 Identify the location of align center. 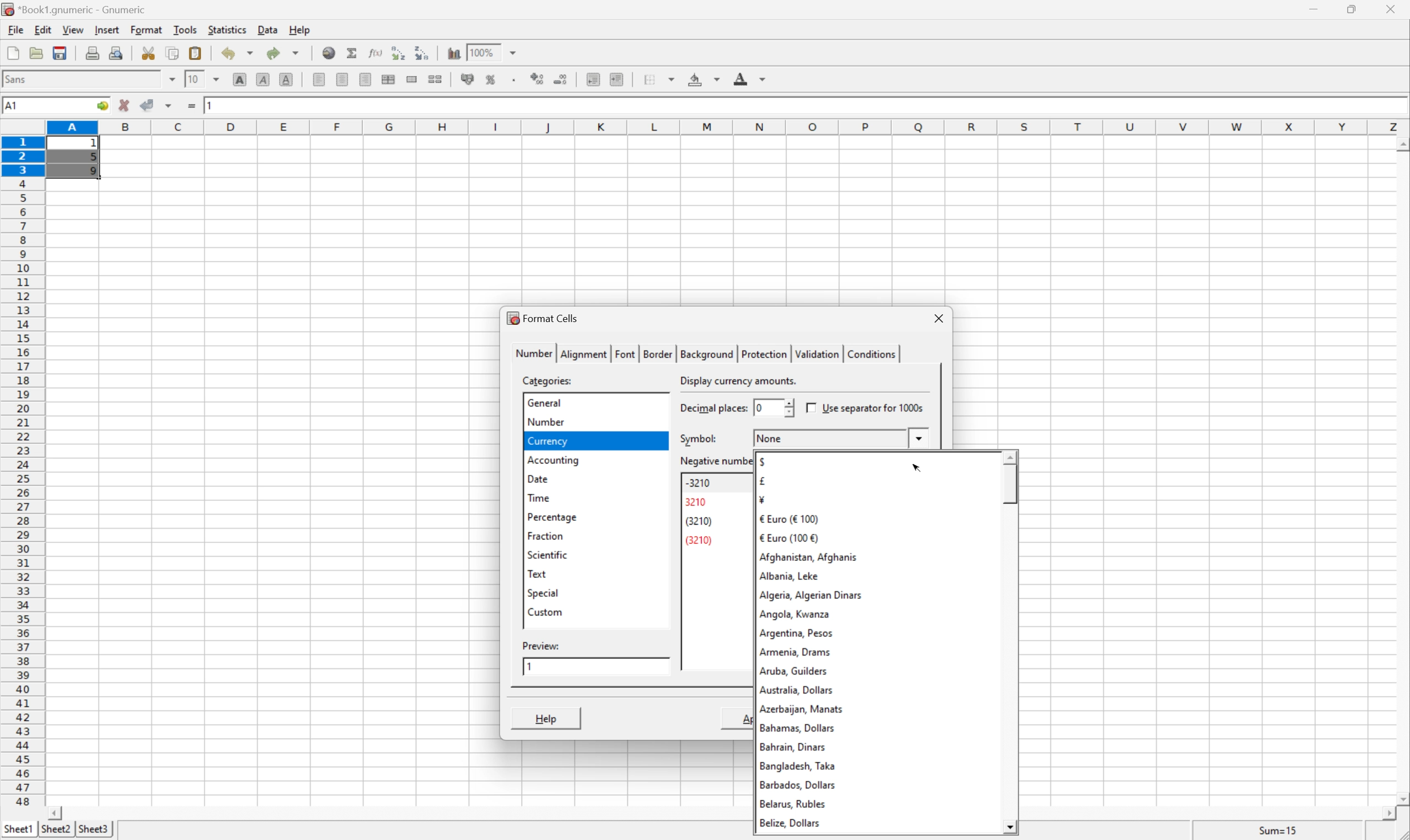
(343, 79).